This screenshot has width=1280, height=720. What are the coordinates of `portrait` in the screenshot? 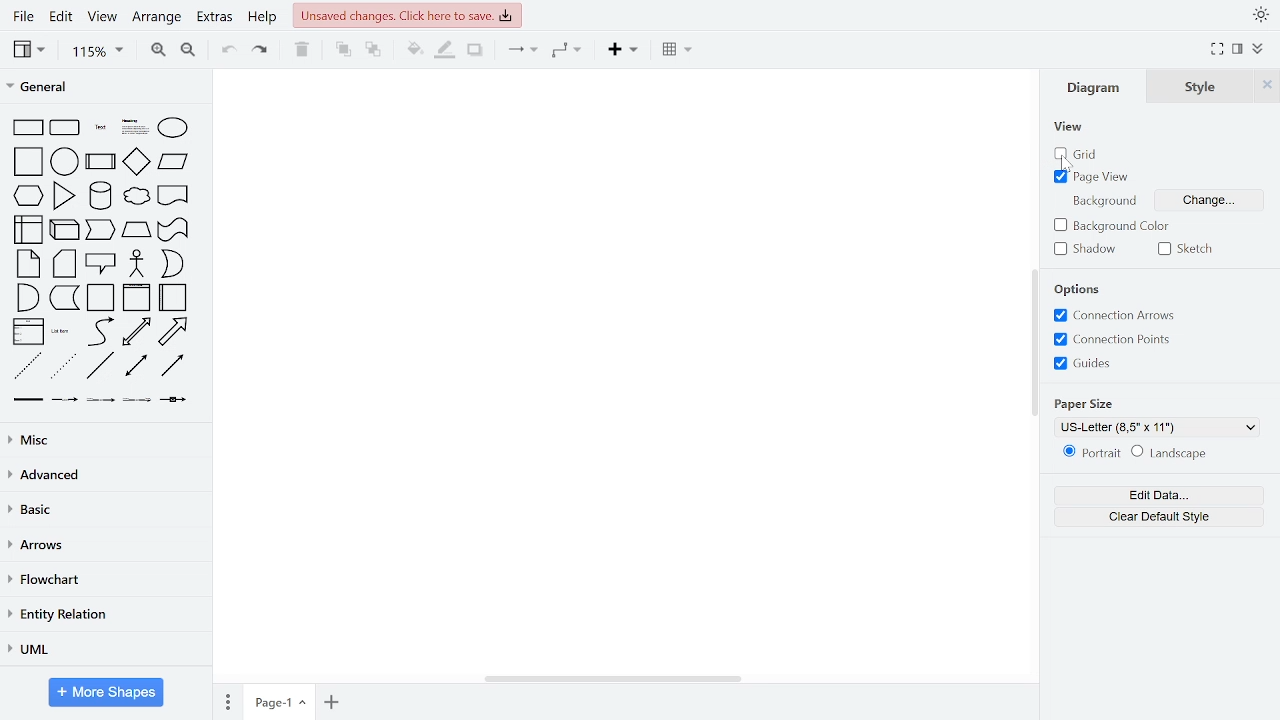 It's located at (1093, 453).